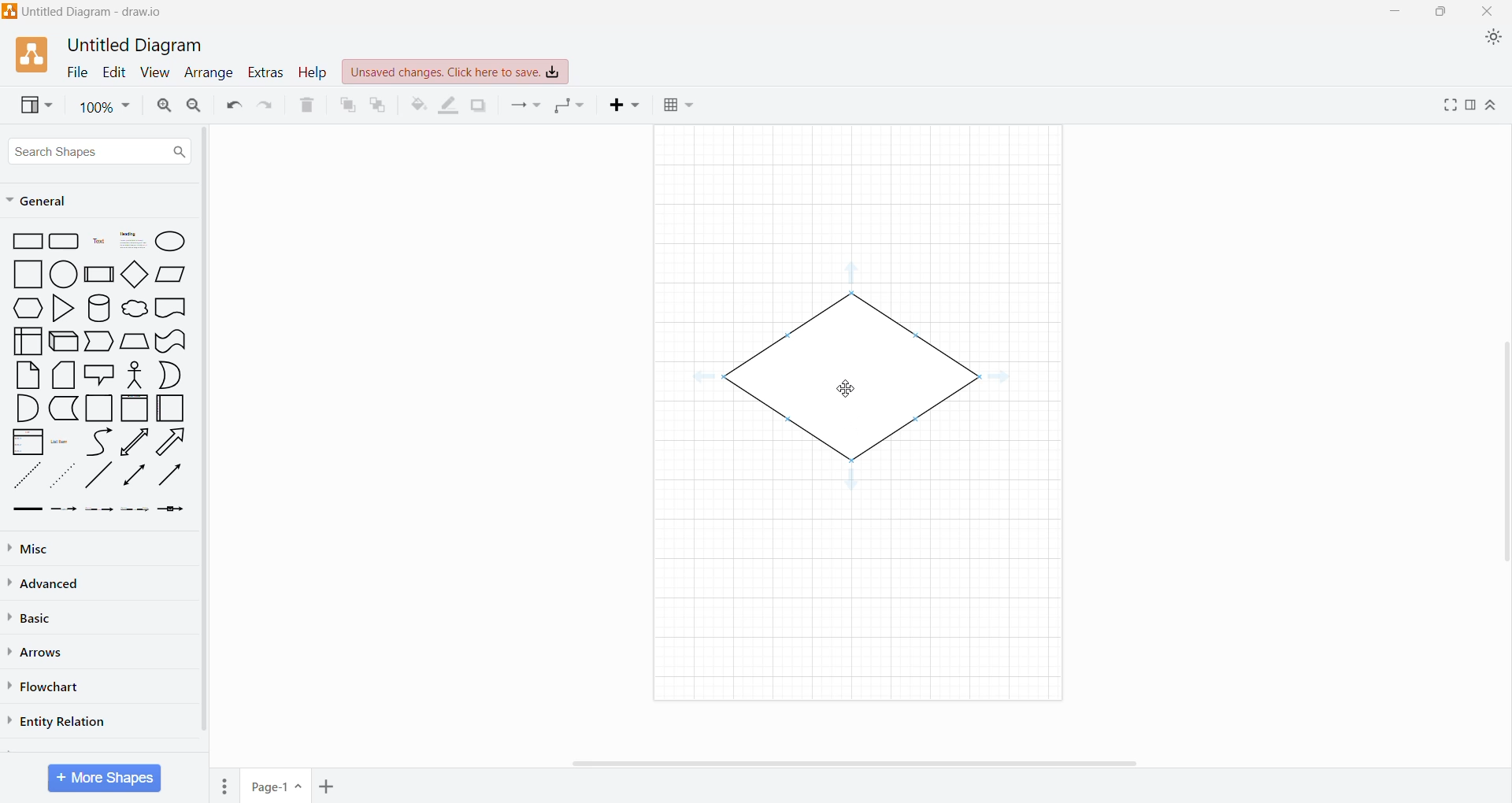 The image size is (1512, 803). Describe the element at coordinates (33, 55) in the screenshot. I see `Application Logo` at that location.